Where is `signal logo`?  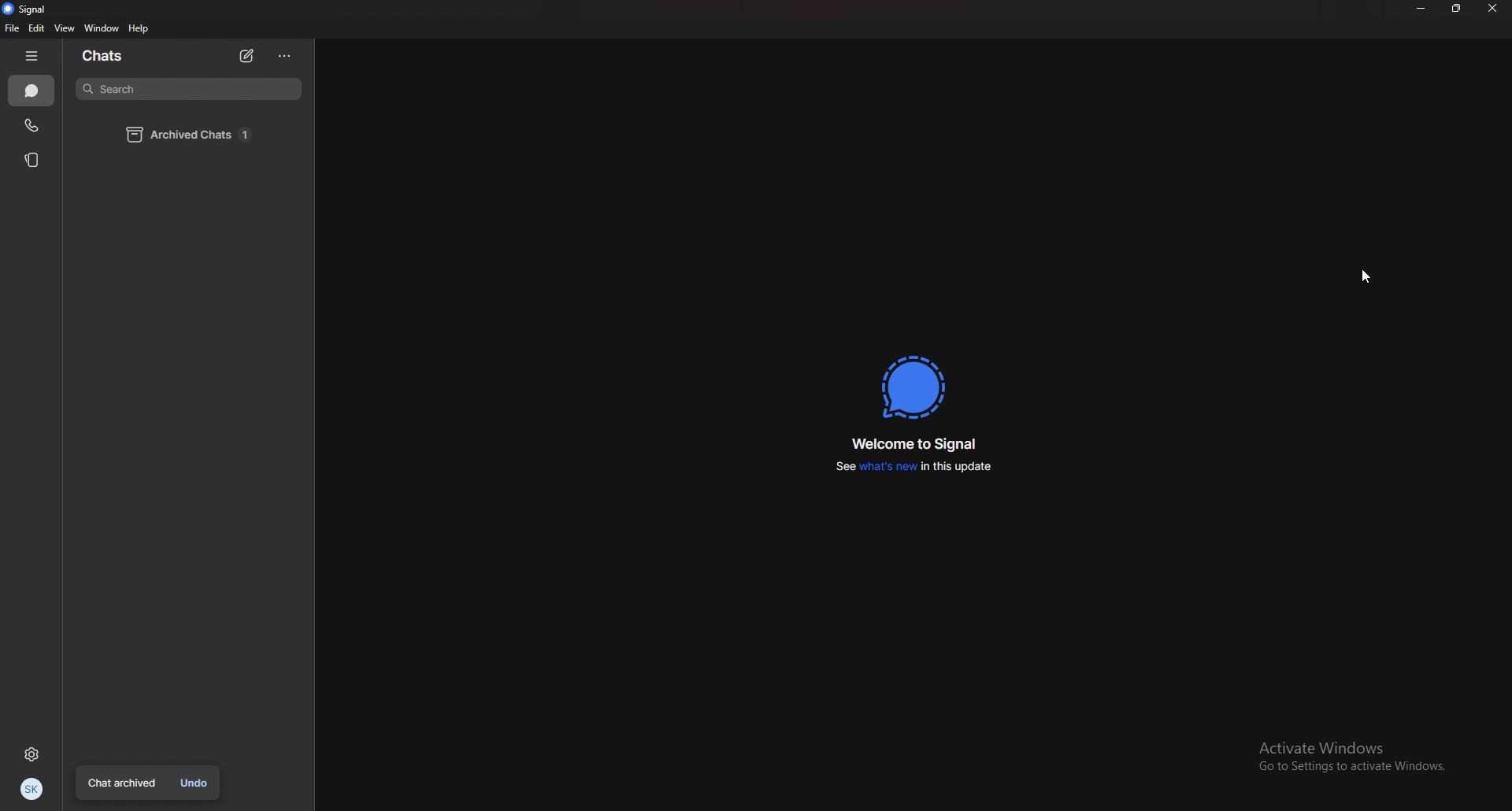 signal logo is located at coordinates (916, 386).